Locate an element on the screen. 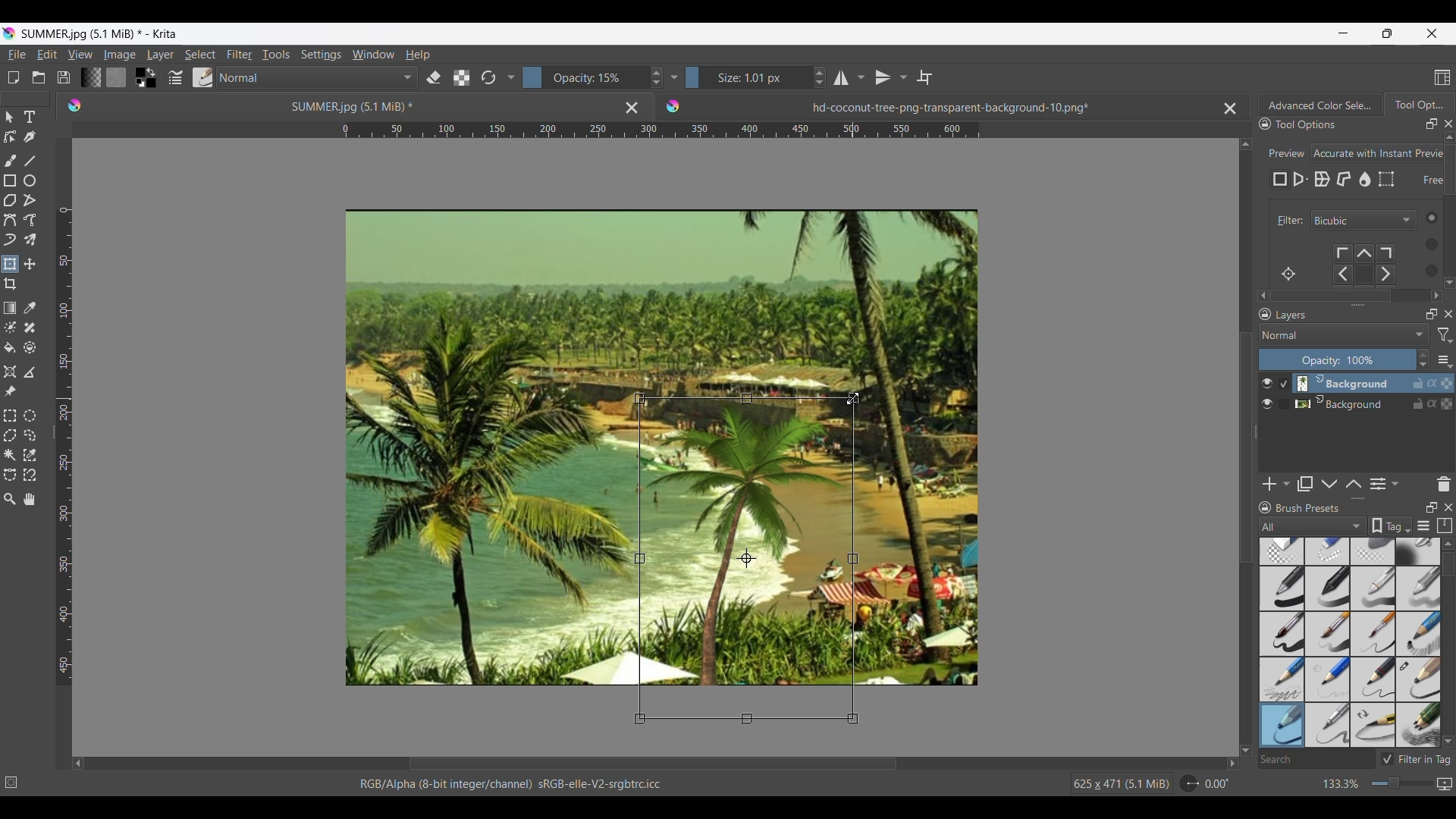 This screenshot has width=1456, height=819. Add new layer is located at coordinates (1270, 484).